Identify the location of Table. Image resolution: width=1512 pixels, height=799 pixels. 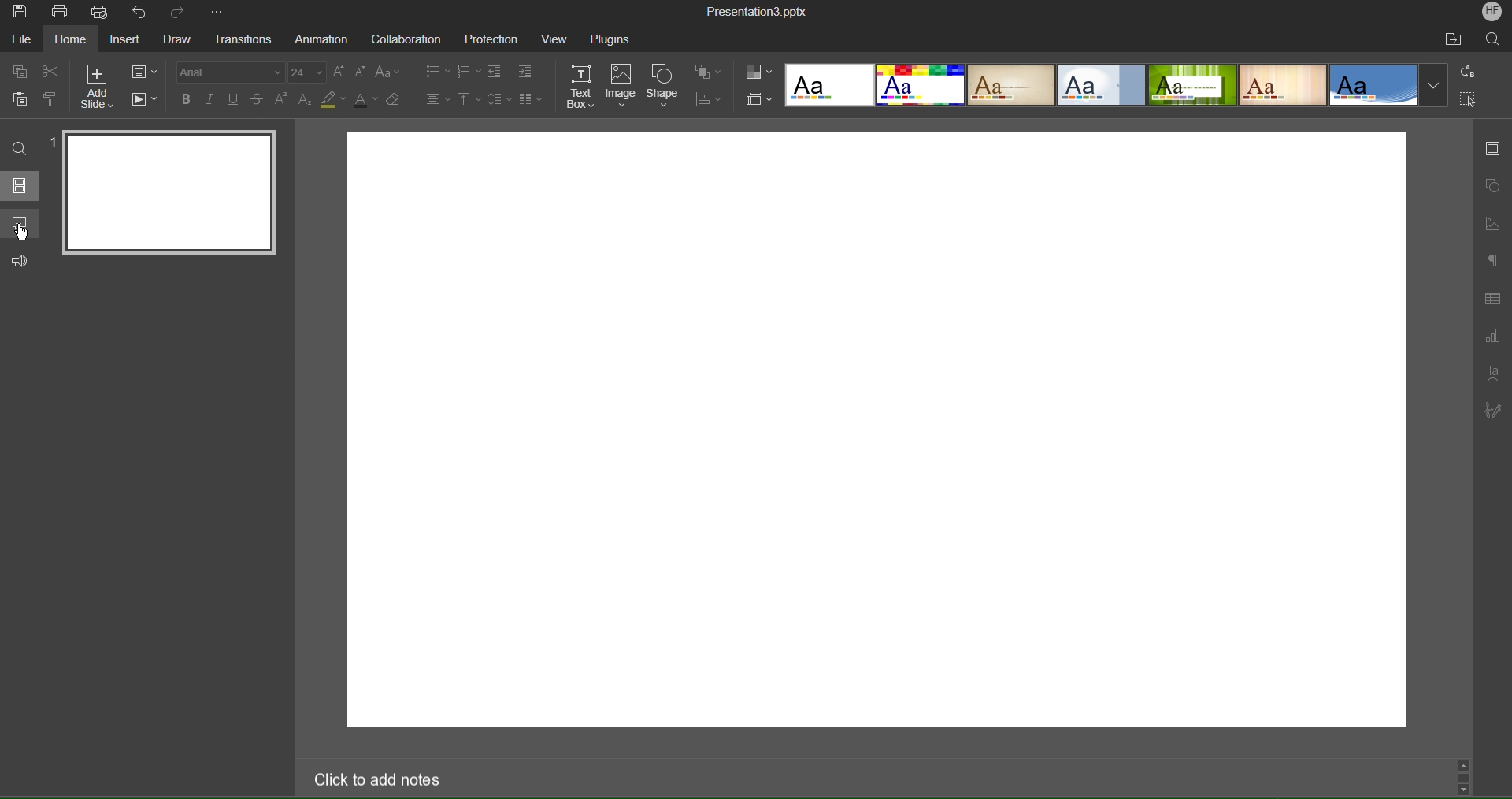
(1495, 300).